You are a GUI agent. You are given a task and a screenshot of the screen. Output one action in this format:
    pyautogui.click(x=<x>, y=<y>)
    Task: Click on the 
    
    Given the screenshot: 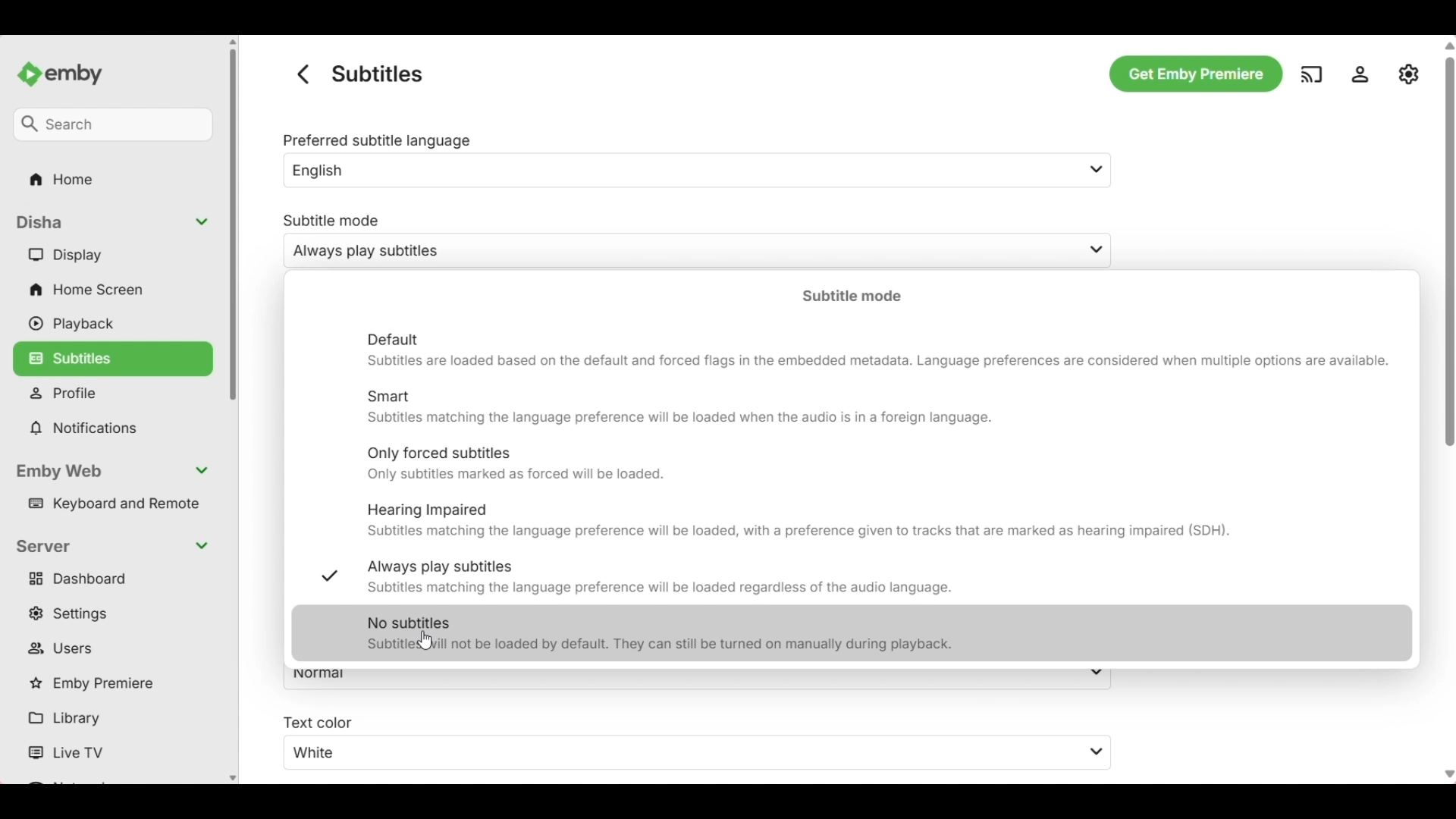 What is the action you would take?
    pyautogui.click(x=1410, y=74)
    